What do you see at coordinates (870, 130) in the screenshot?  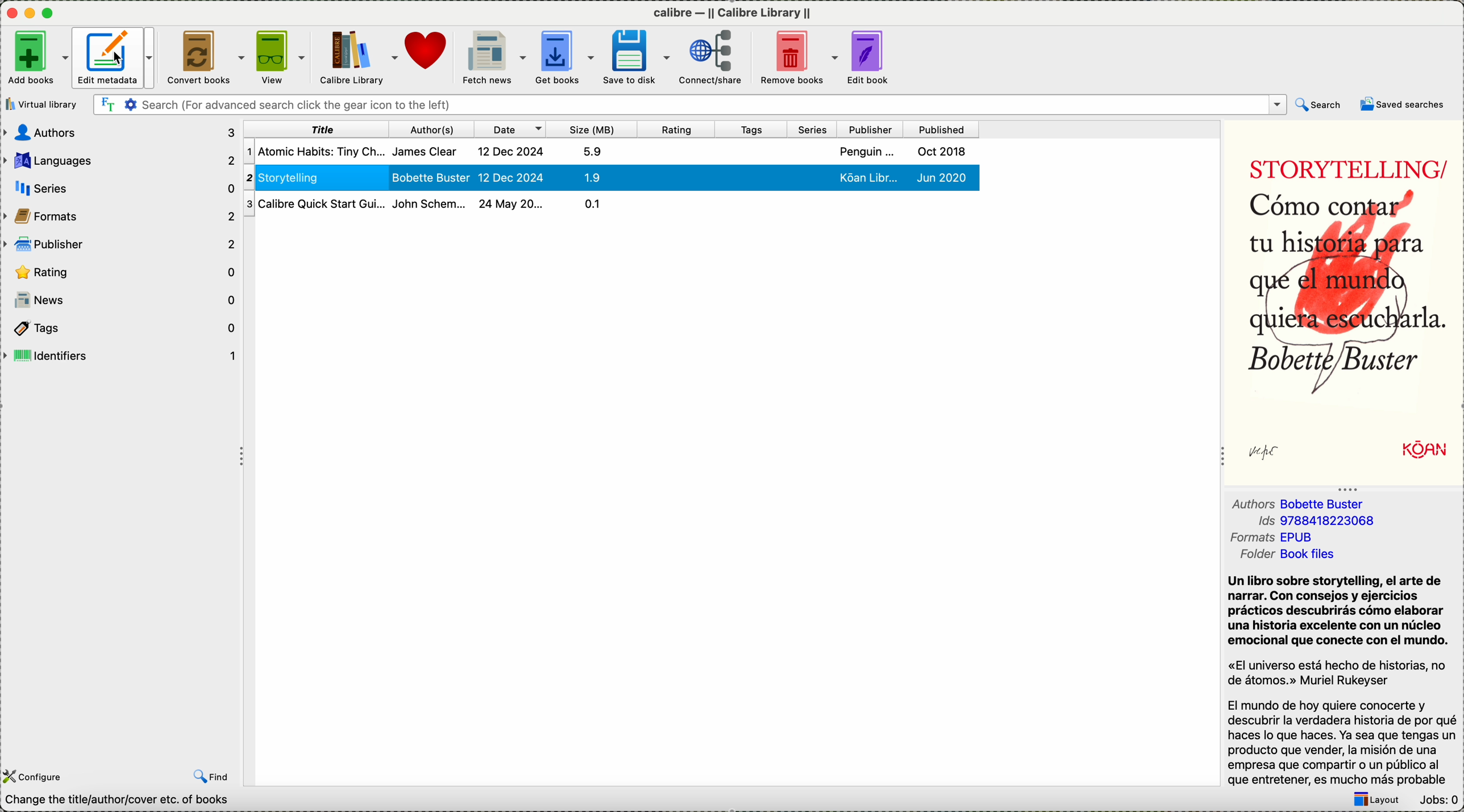 I see `publisher` at bounding box center [870, 130].